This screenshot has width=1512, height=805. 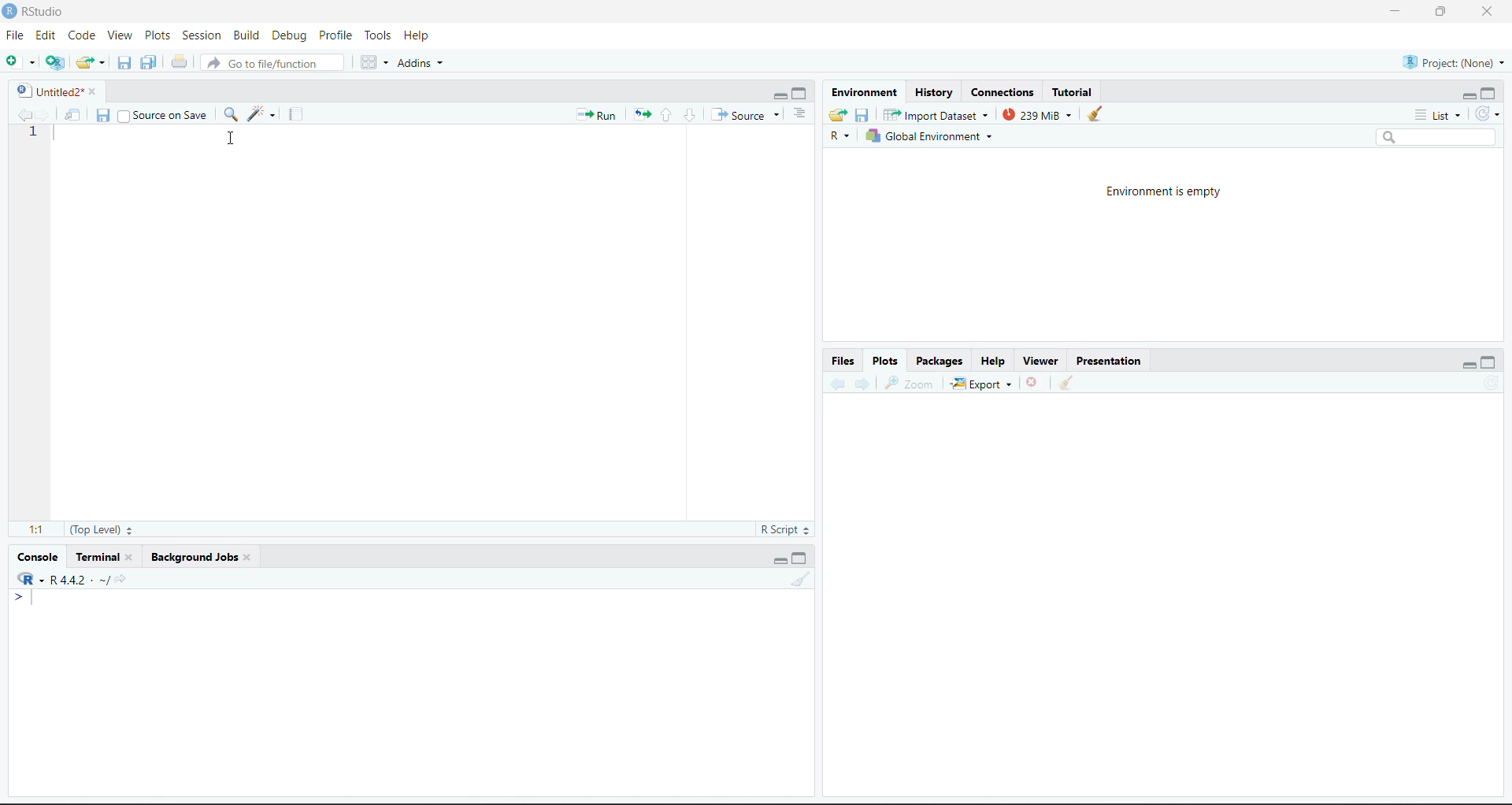 I want to click on Zoom, so click(x=914, y=384).